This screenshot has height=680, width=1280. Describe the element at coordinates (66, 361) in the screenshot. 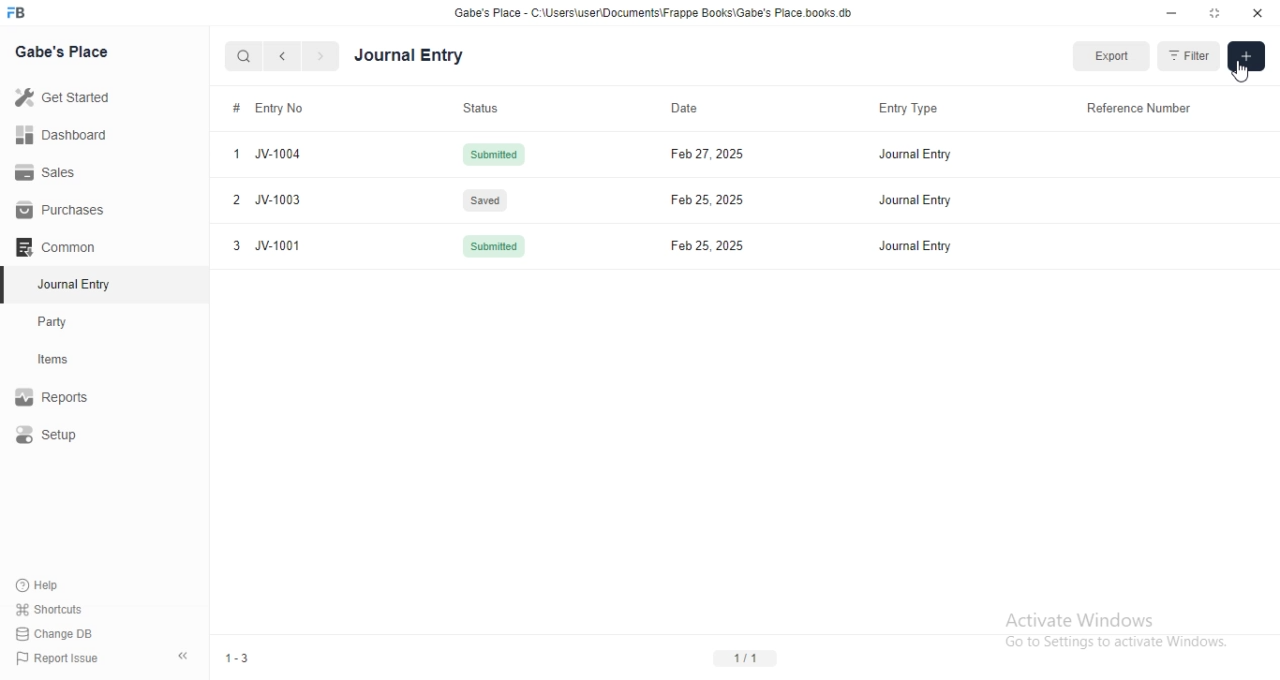

I see `items` at that location.